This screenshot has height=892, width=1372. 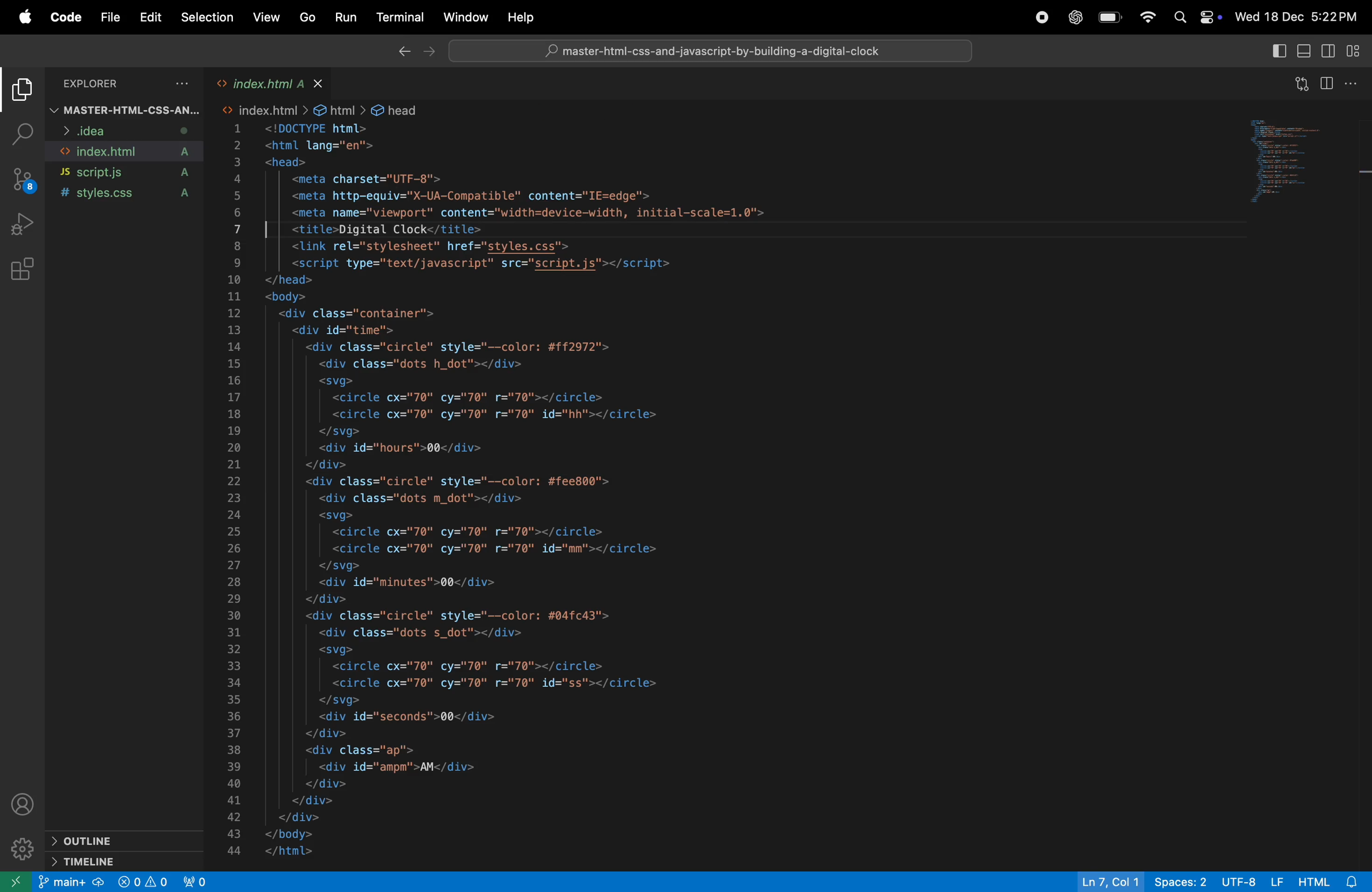 What do you see at coordinates (1330, 879) in the screenshot?
I see `html alert` at bounding box center [1330, 879].